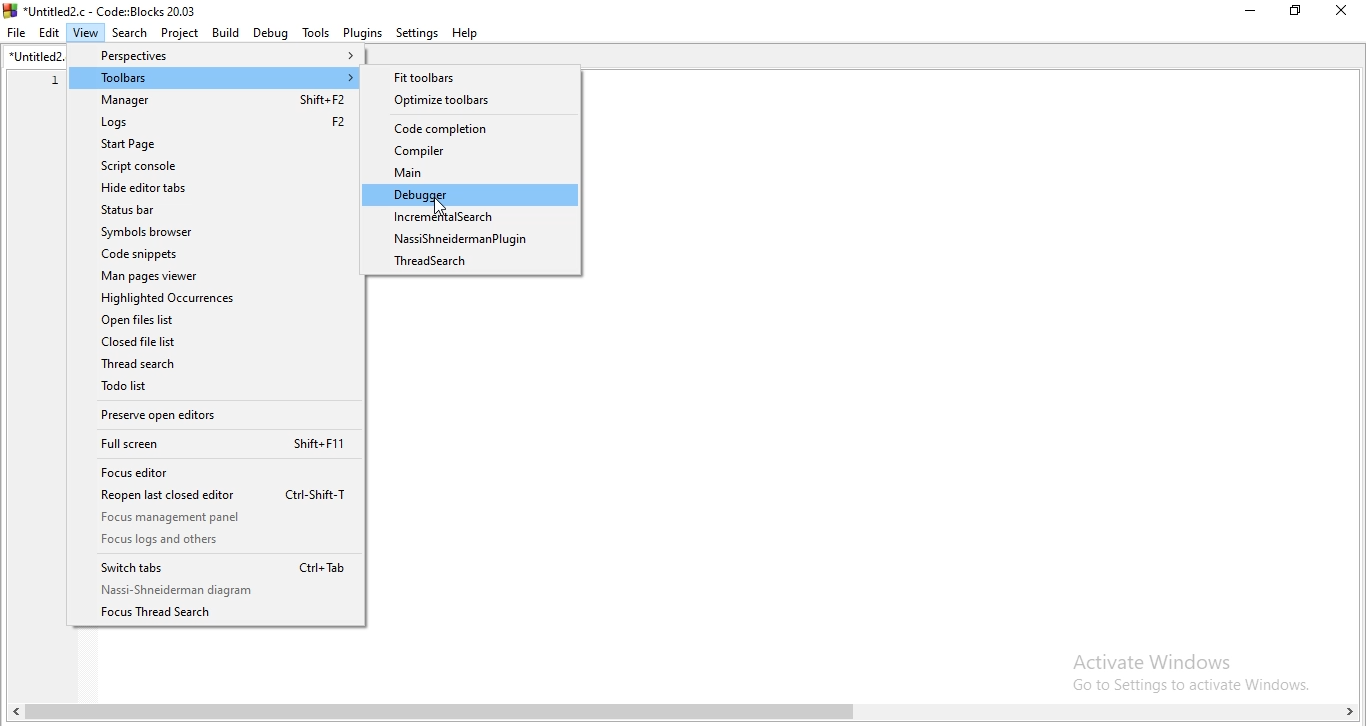 The image size is (1366, 726). I want to click on line number, so click(54, 166).